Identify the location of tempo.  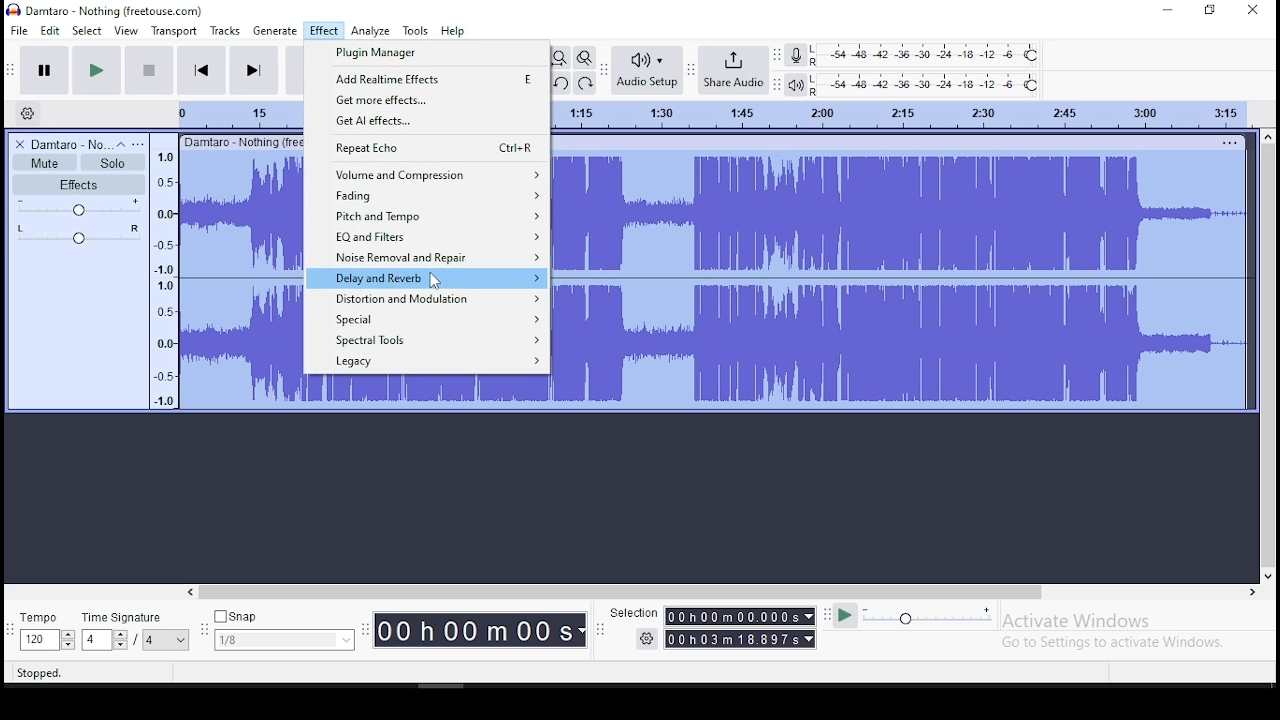
(48, 618).